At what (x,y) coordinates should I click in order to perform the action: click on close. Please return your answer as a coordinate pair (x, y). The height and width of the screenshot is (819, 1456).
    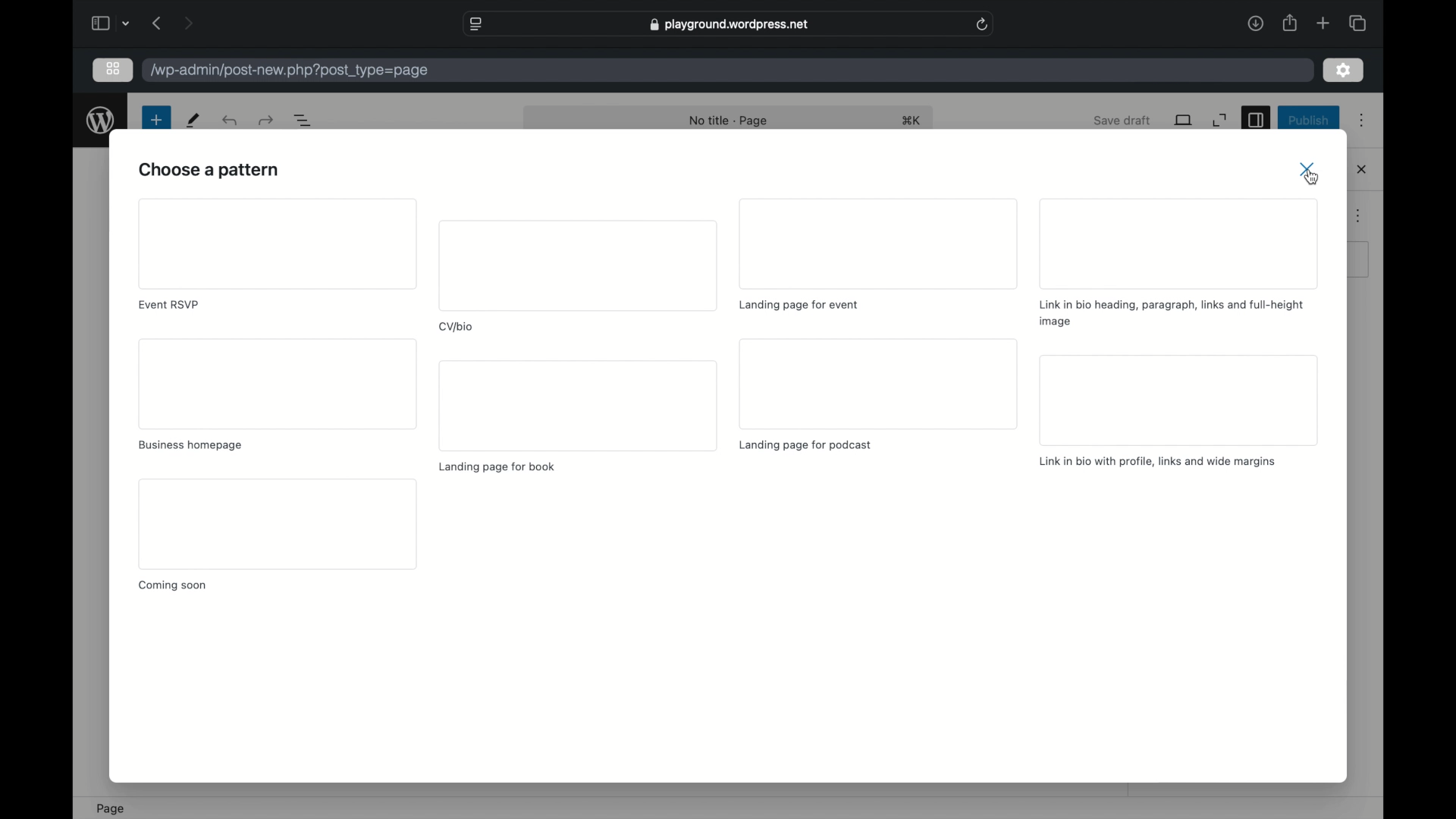
    Looking at the image, I should click on (1308, 168).